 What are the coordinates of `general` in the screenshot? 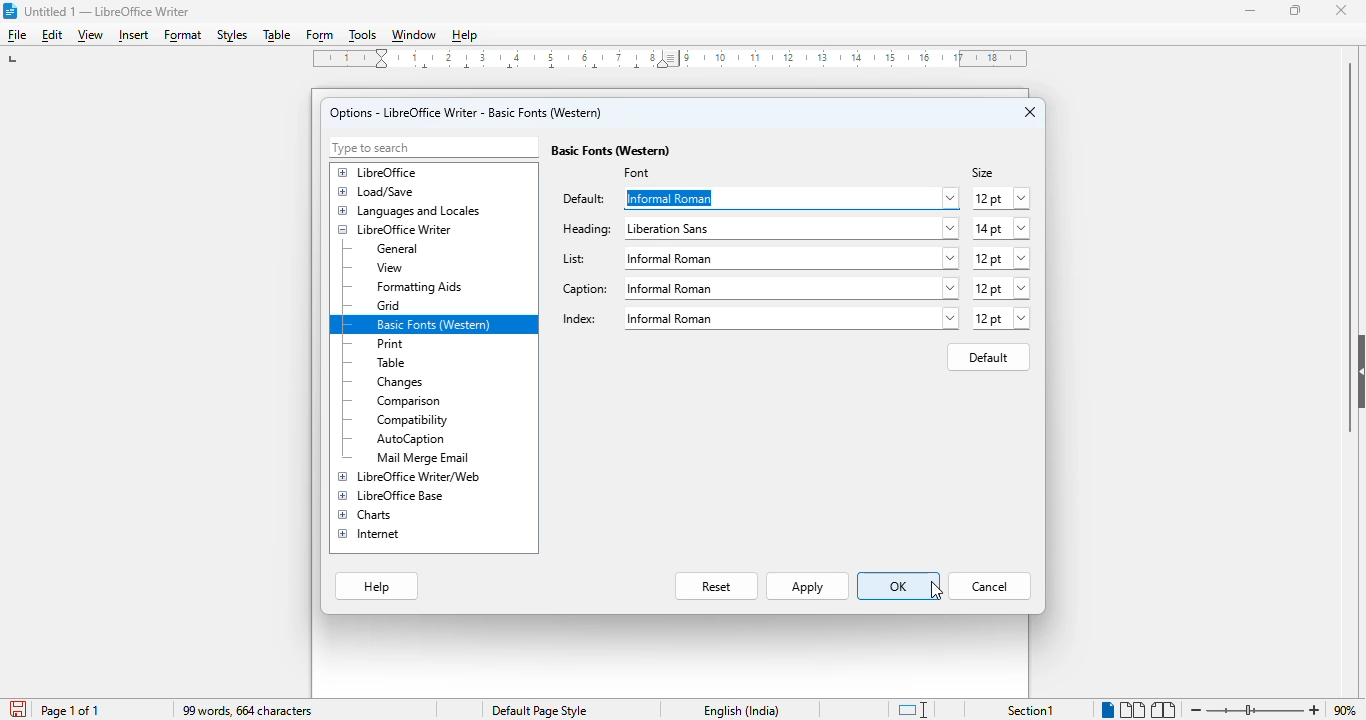 It's located at (399, 249).